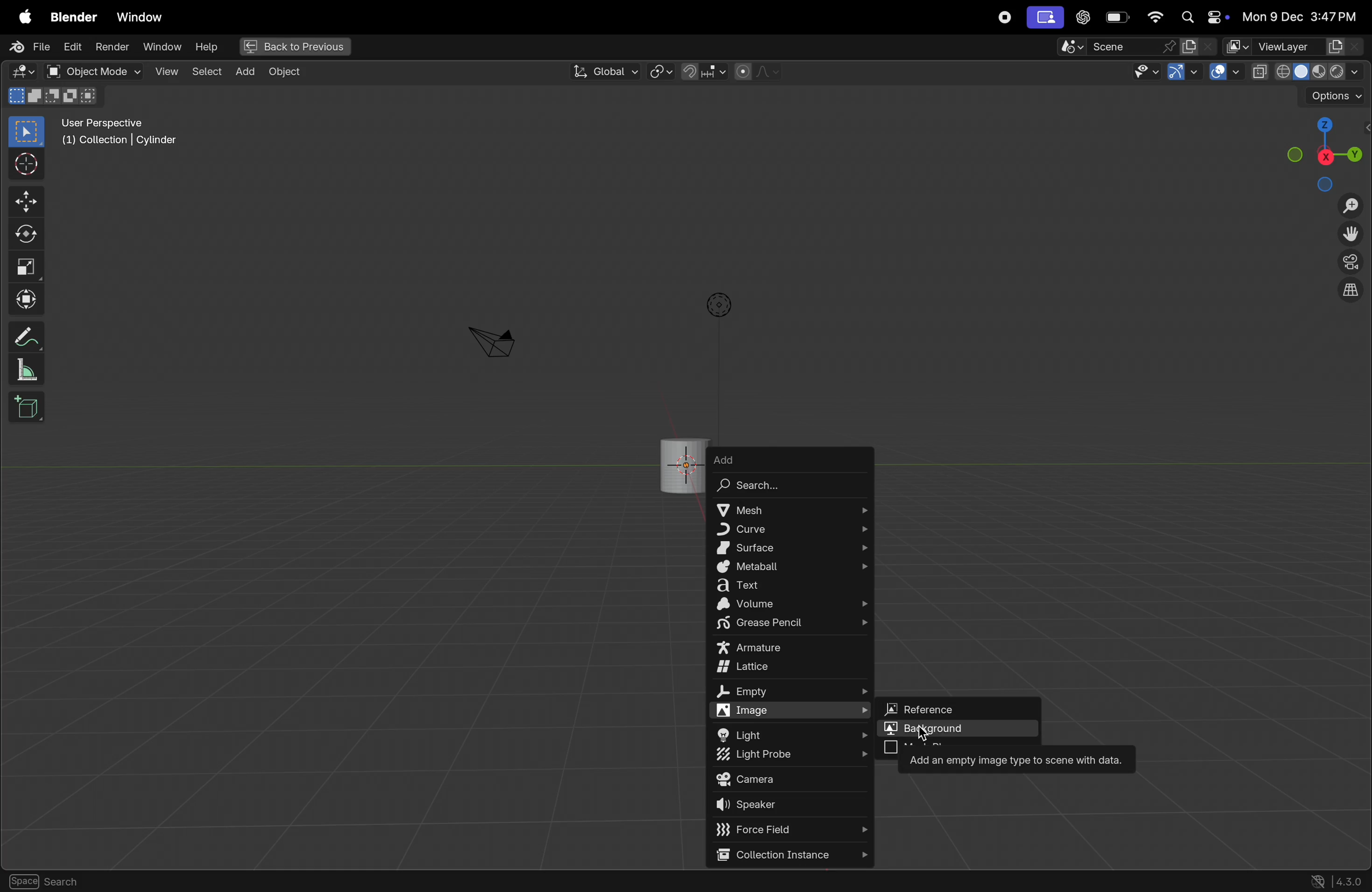 Image resolution: width=1372 pixels, height=892 pixels. I want to click on collection instance, so click(790, 855).